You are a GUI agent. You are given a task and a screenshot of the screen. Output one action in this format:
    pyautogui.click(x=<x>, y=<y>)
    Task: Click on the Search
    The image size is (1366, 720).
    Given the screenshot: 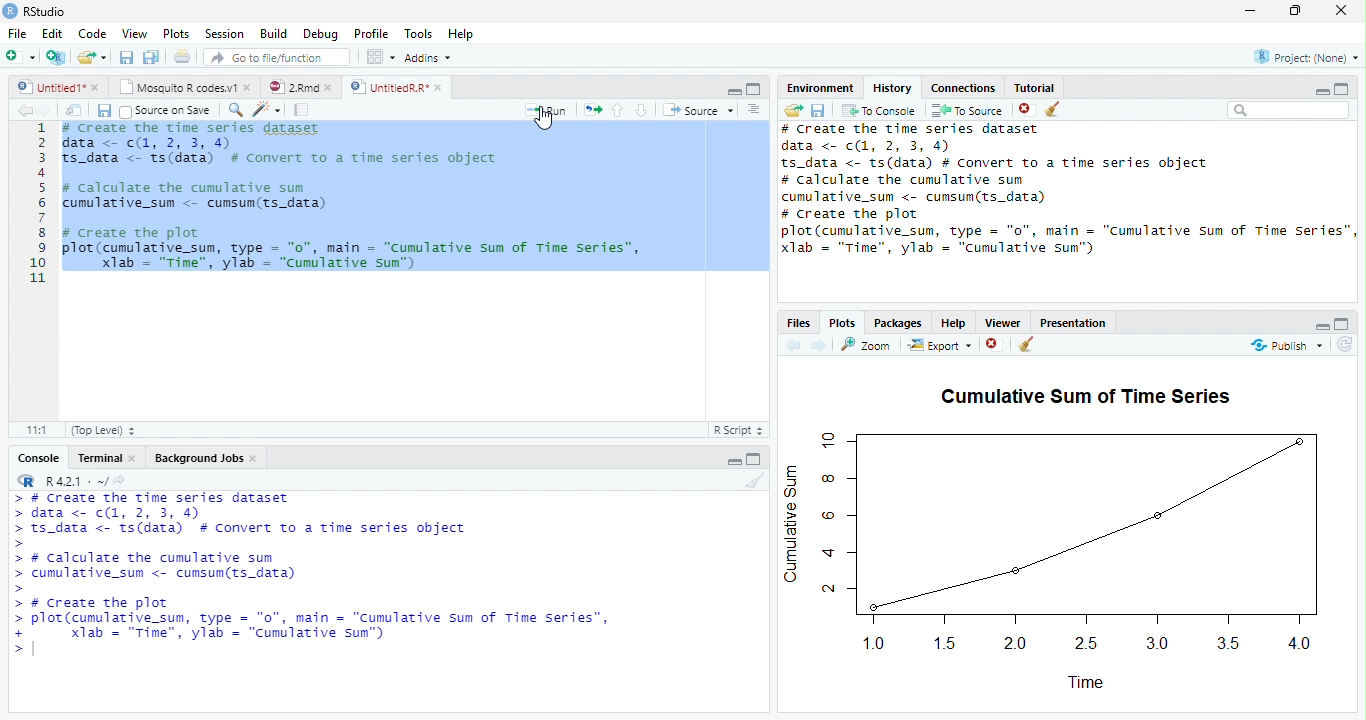 What is the action you would take?
    pyautogui.click(x=1287, y=111)
    